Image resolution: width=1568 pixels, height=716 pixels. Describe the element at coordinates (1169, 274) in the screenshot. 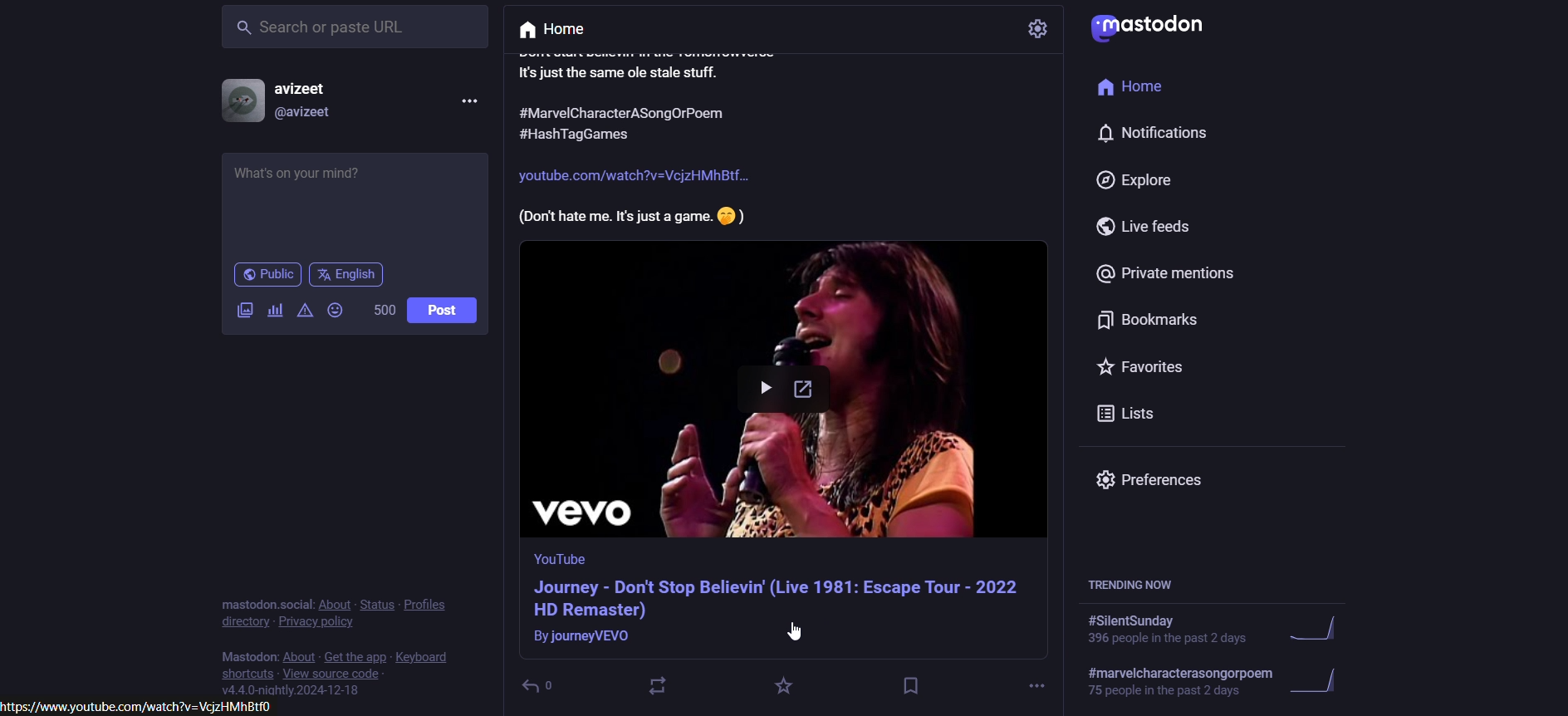

I see `private mentions` at that location.